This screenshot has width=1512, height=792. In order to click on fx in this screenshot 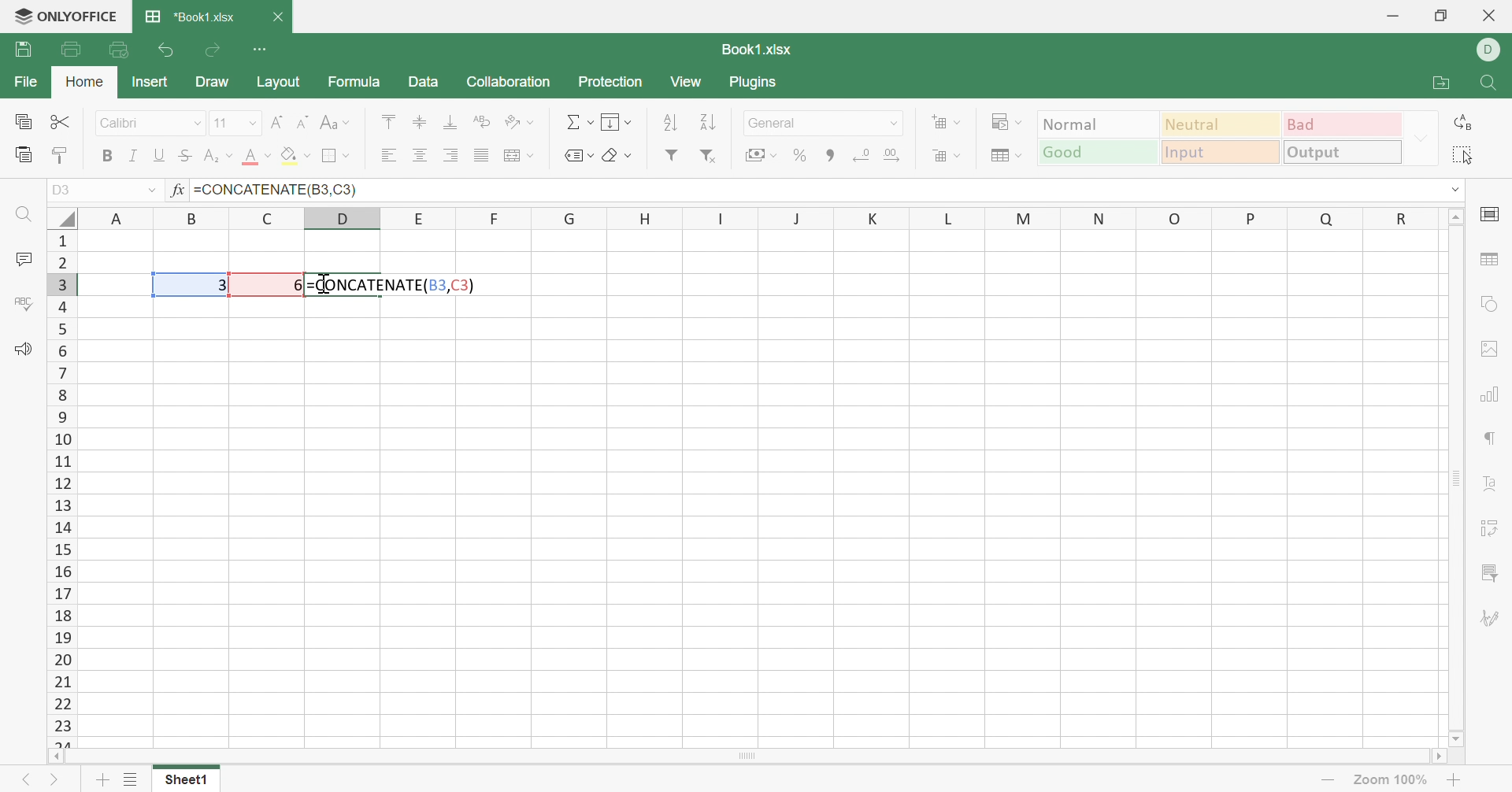, I will do `click(183, 191)`.